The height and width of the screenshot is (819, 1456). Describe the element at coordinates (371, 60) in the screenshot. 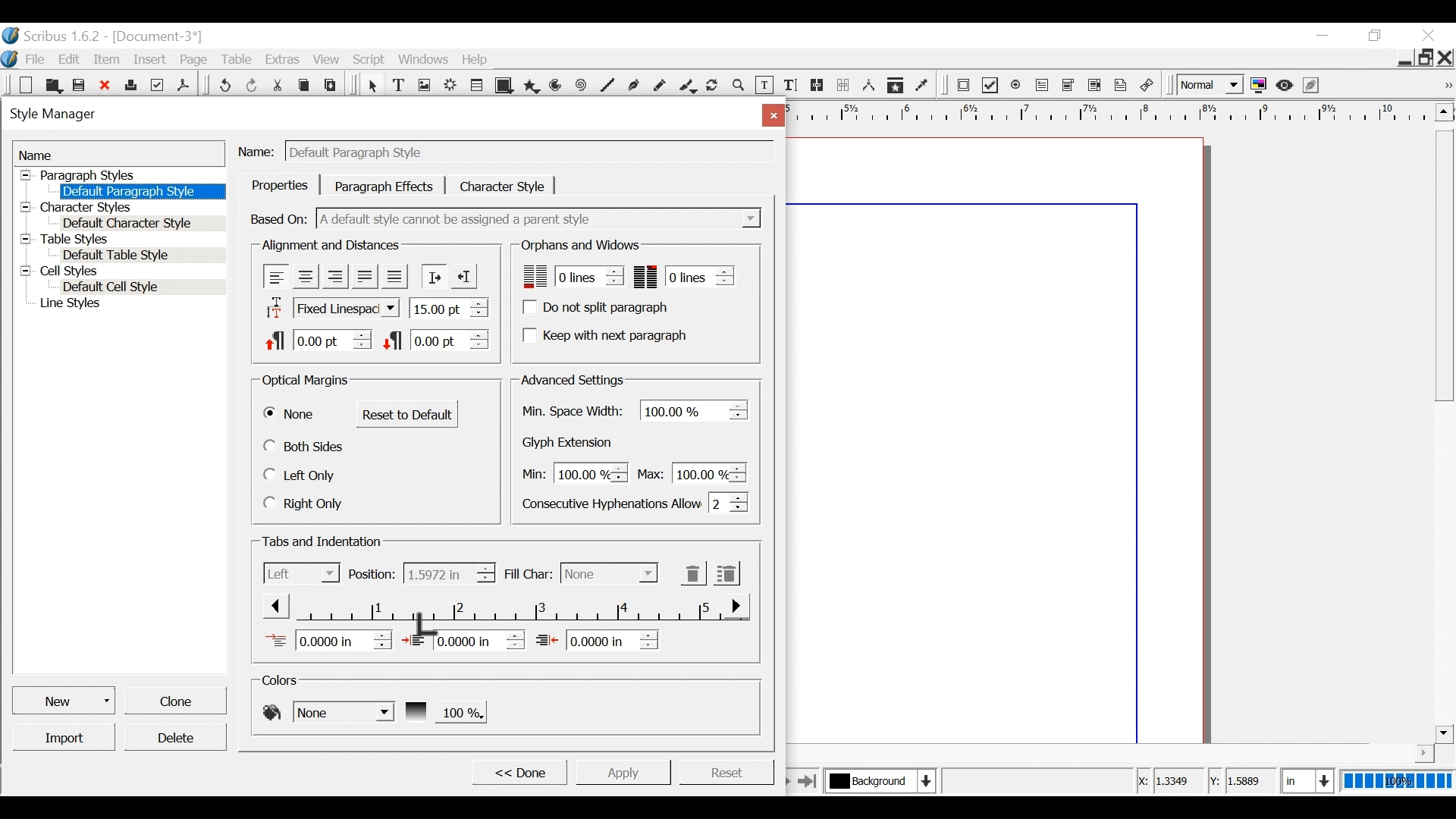

I see `Script` at that location.